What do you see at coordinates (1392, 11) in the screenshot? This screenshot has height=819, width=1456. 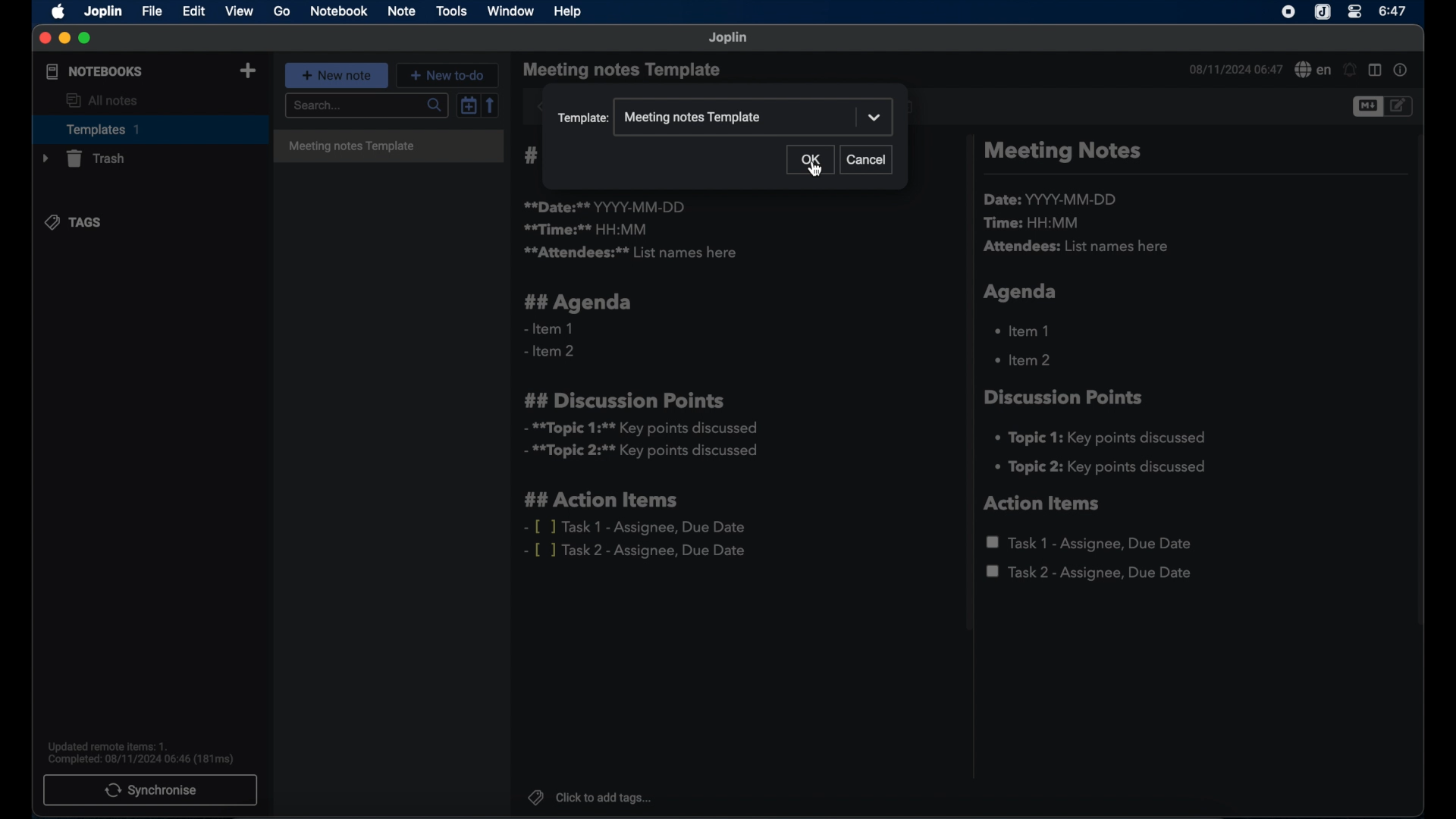 I see `6:47` at bounding box center [1392, 11].